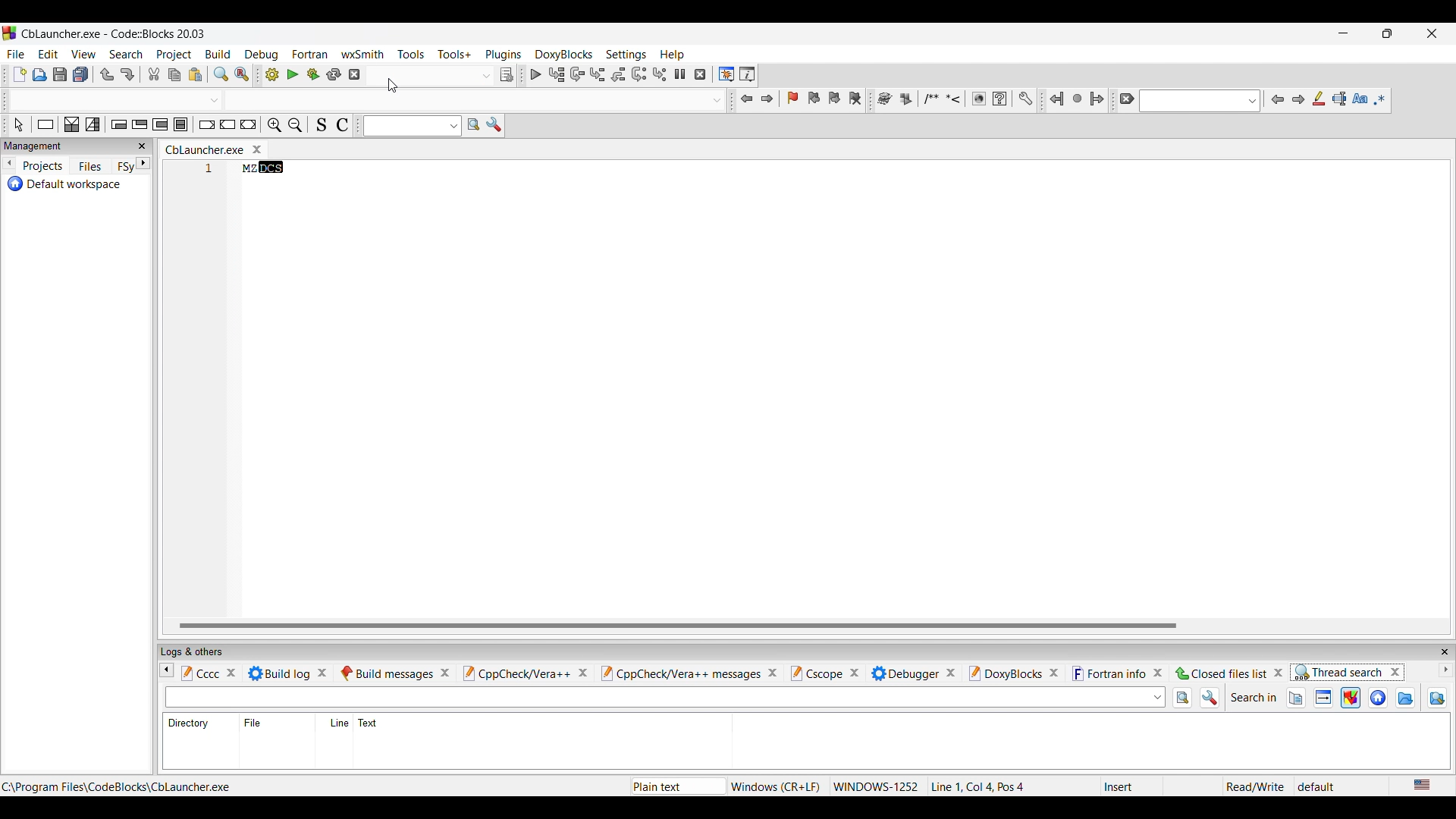 The height and width of the screenshot is (819, 1456). What do you see at coordinates (626, 55) in the screenshot?
I see `Settings menu` at bounding box center [626, 55].